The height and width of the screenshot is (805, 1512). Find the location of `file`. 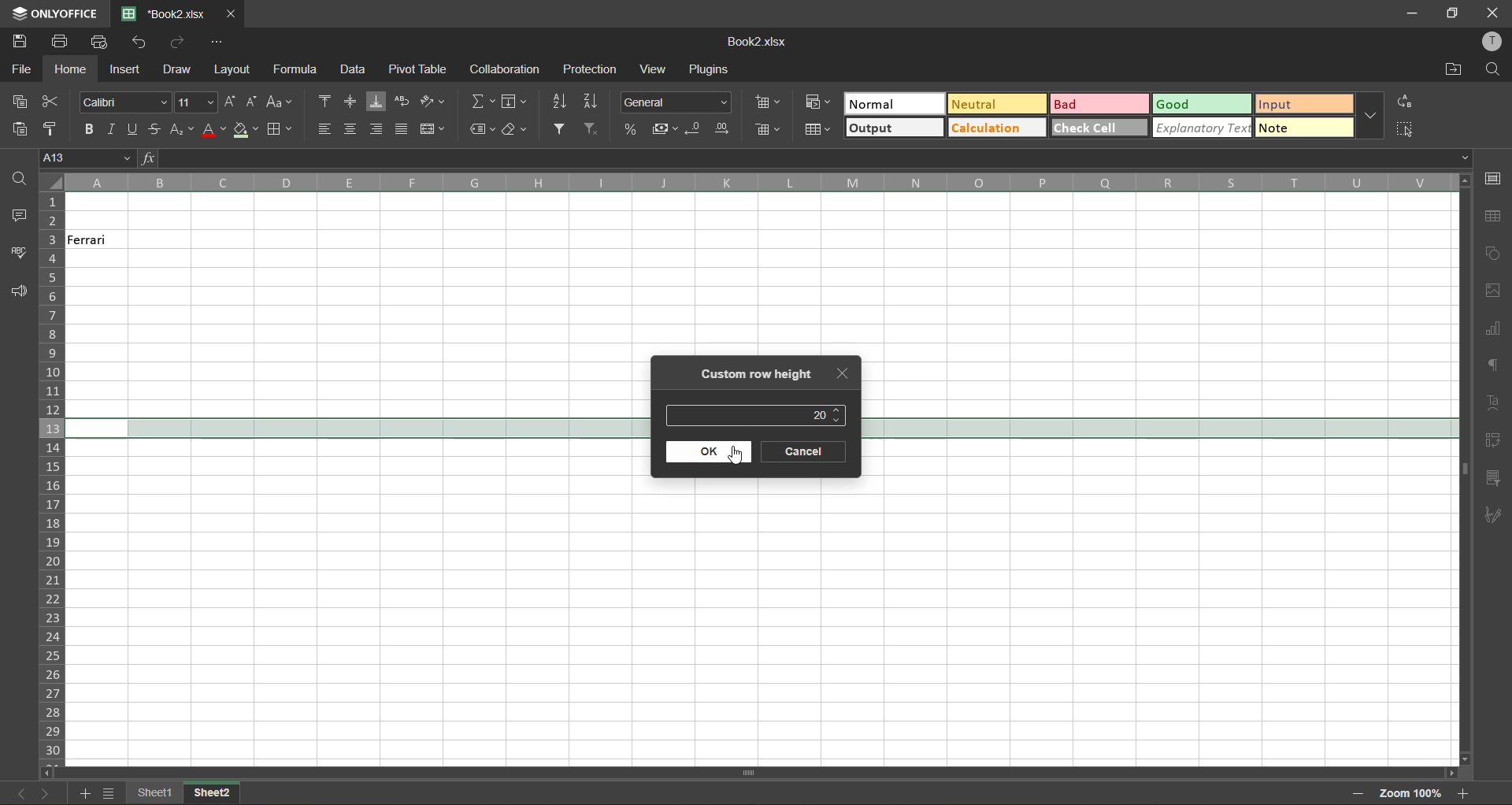

file is located at coordinates (23, 69).